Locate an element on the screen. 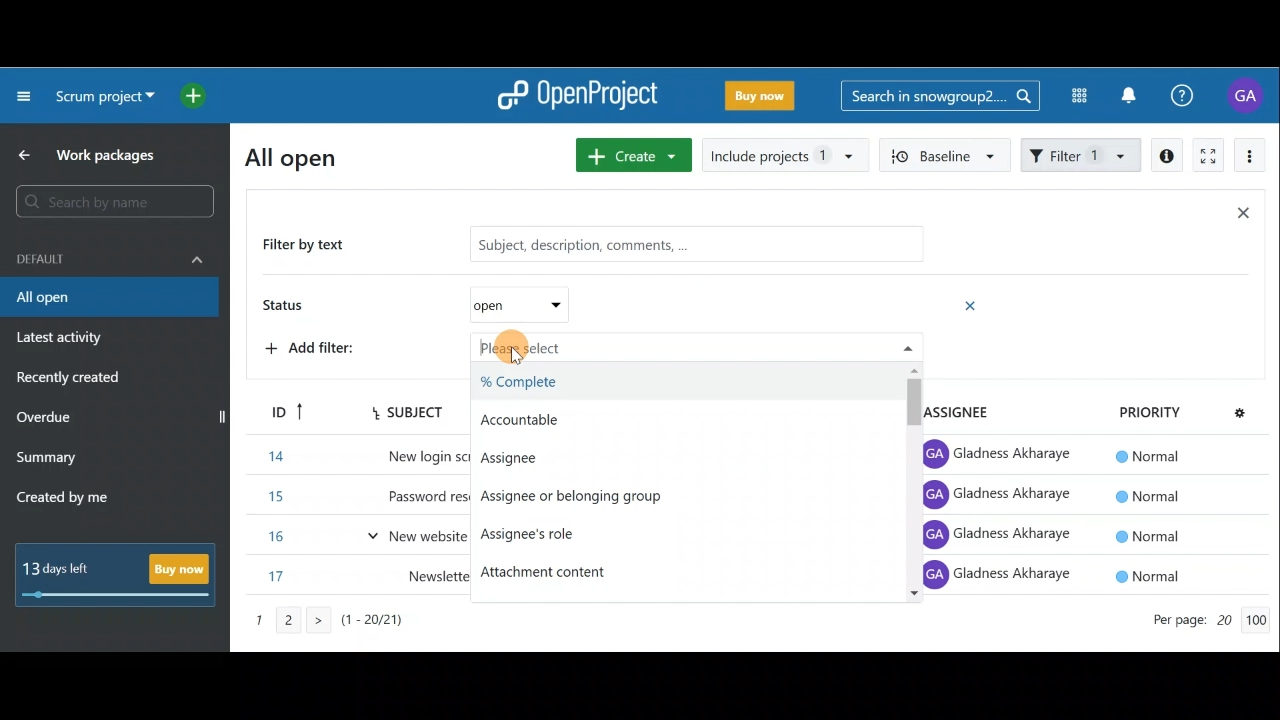 This screenshot has width=1280, height=720. Item 17 is located at coordinates (349, 576).